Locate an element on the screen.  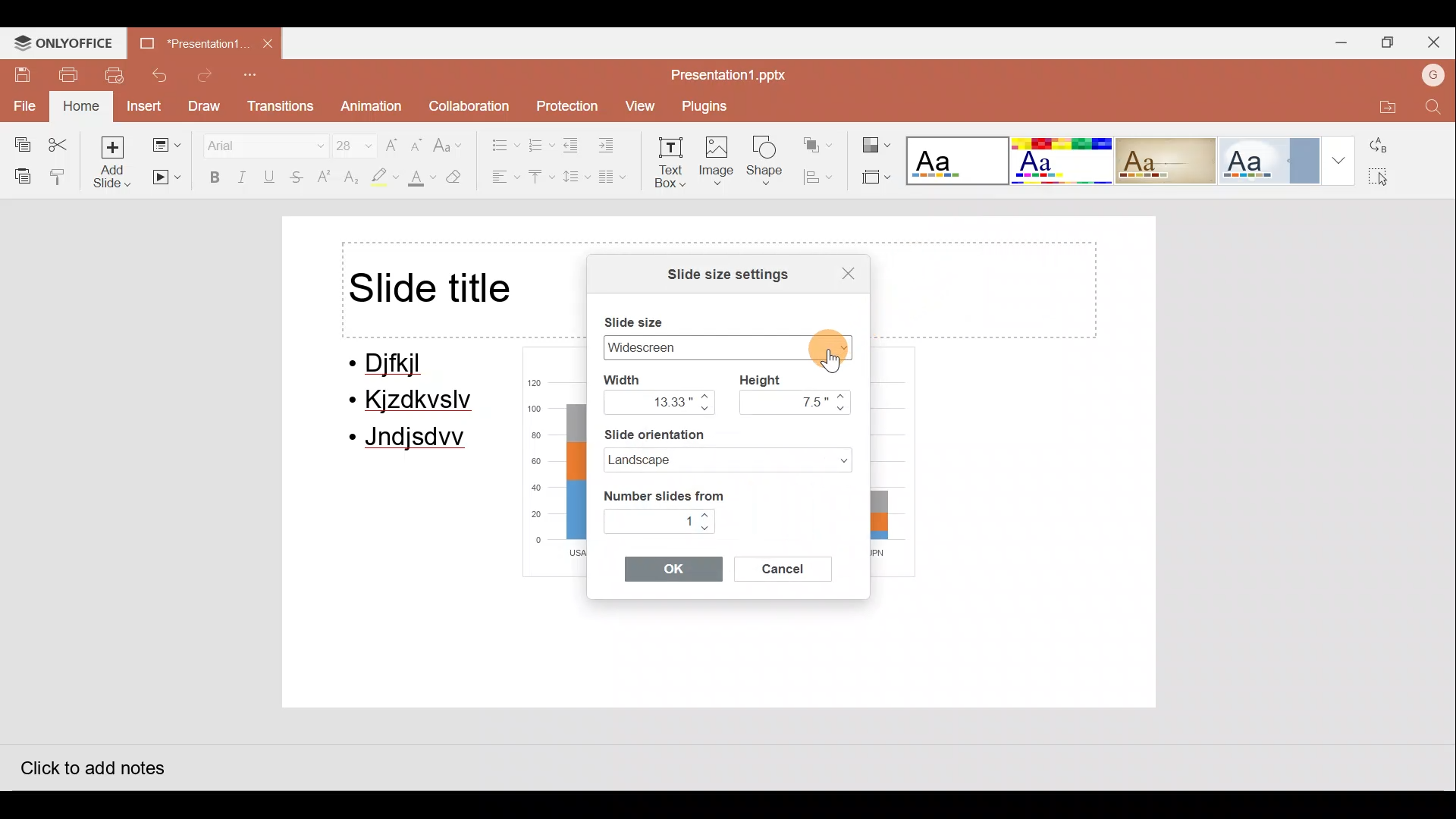
Select slide size is located at coordinates (874, 178).